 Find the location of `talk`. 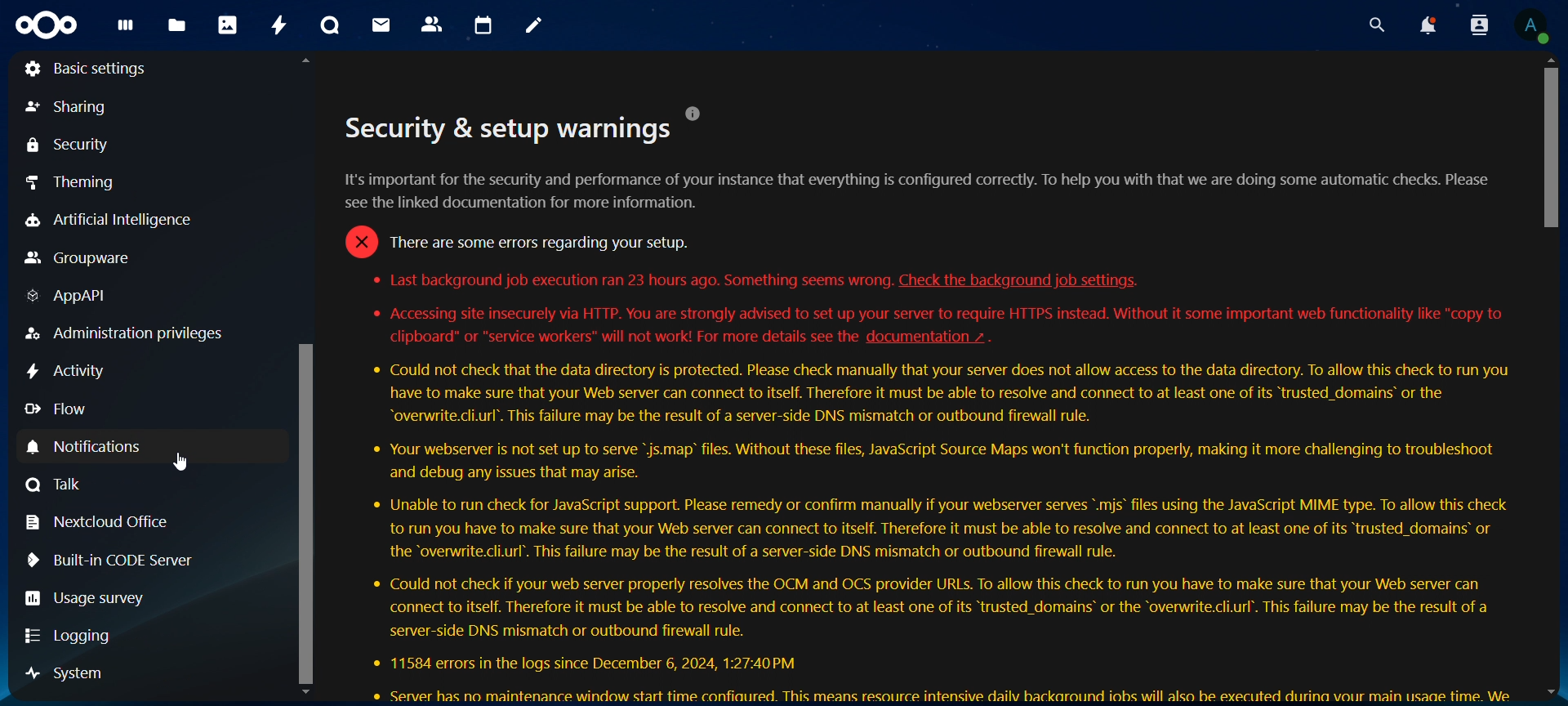

talk is located at coordinates (51, 485).